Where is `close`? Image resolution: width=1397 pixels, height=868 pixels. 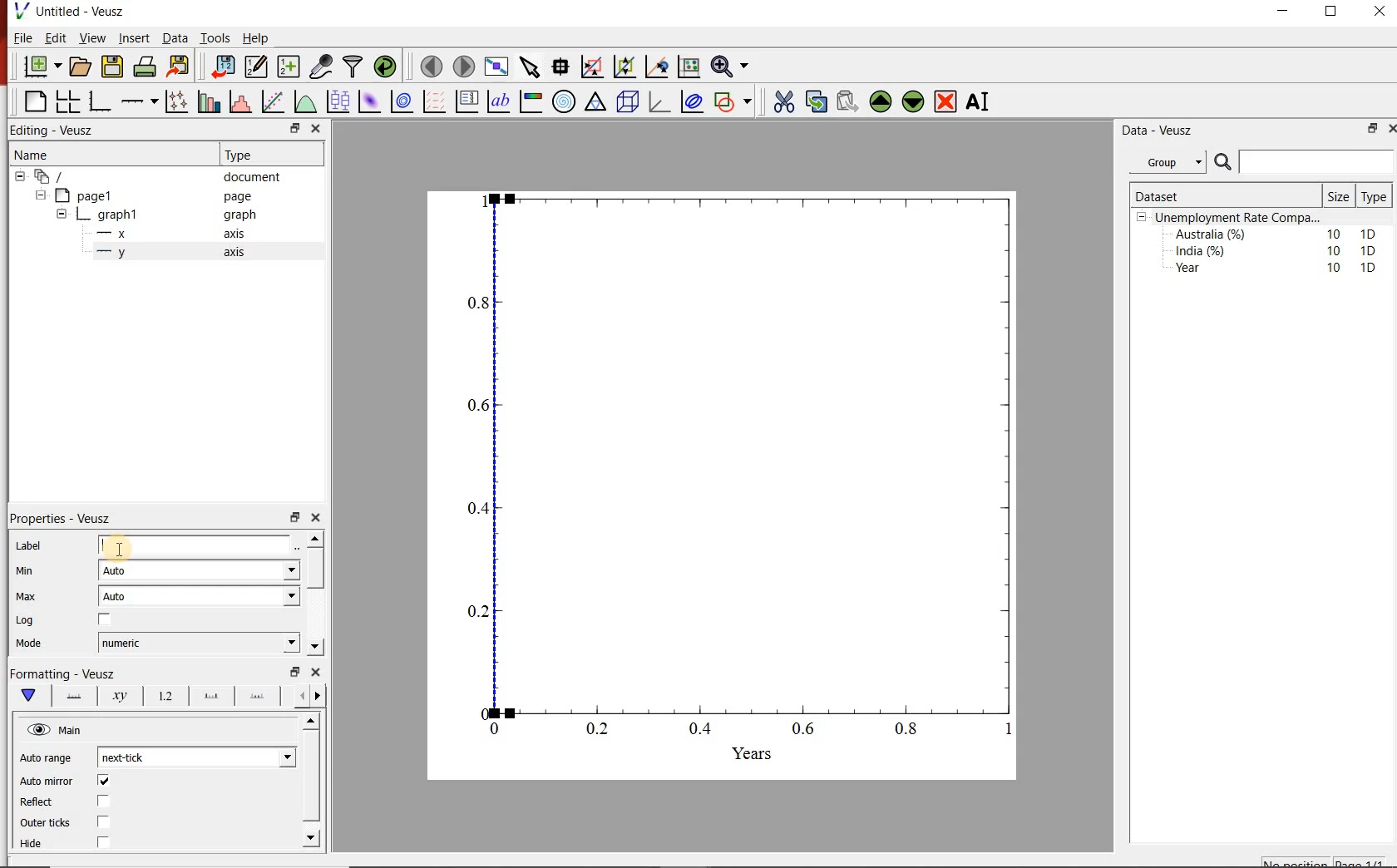 close is located at coordinates (1392, 127).